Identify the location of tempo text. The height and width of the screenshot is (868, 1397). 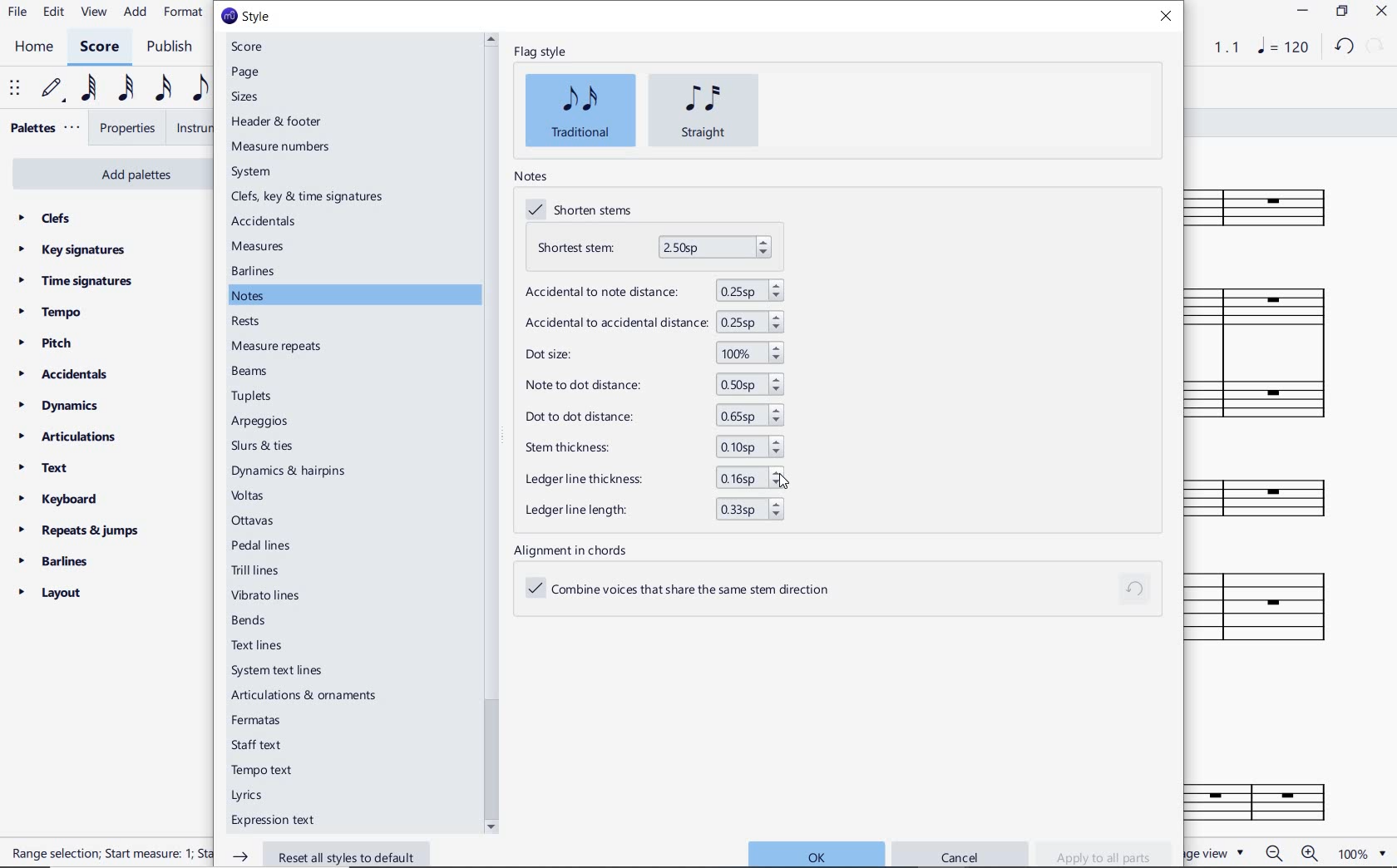
(270, 770).